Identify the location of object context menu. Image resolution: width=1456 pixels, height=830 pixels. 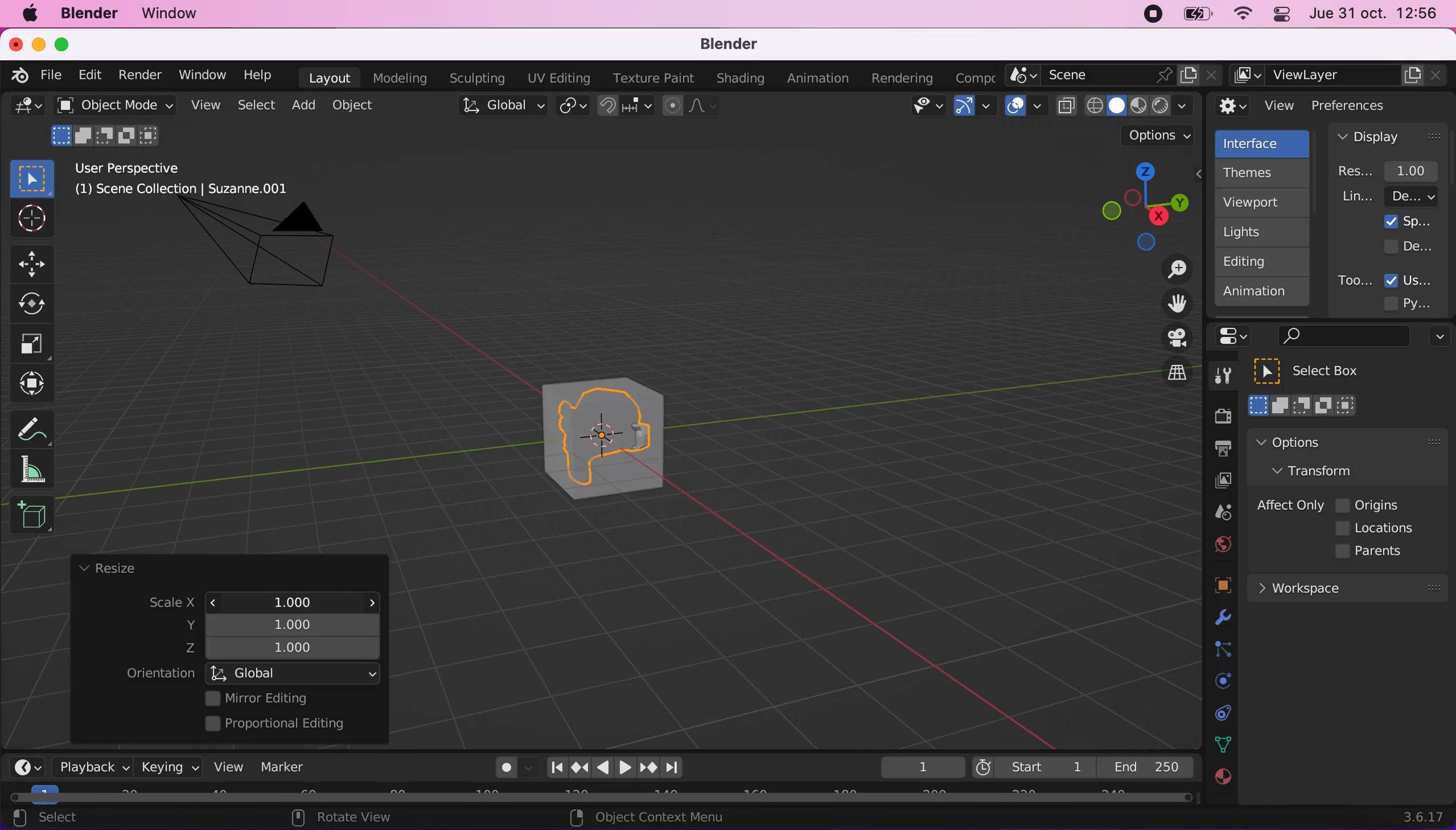
(651, 817).